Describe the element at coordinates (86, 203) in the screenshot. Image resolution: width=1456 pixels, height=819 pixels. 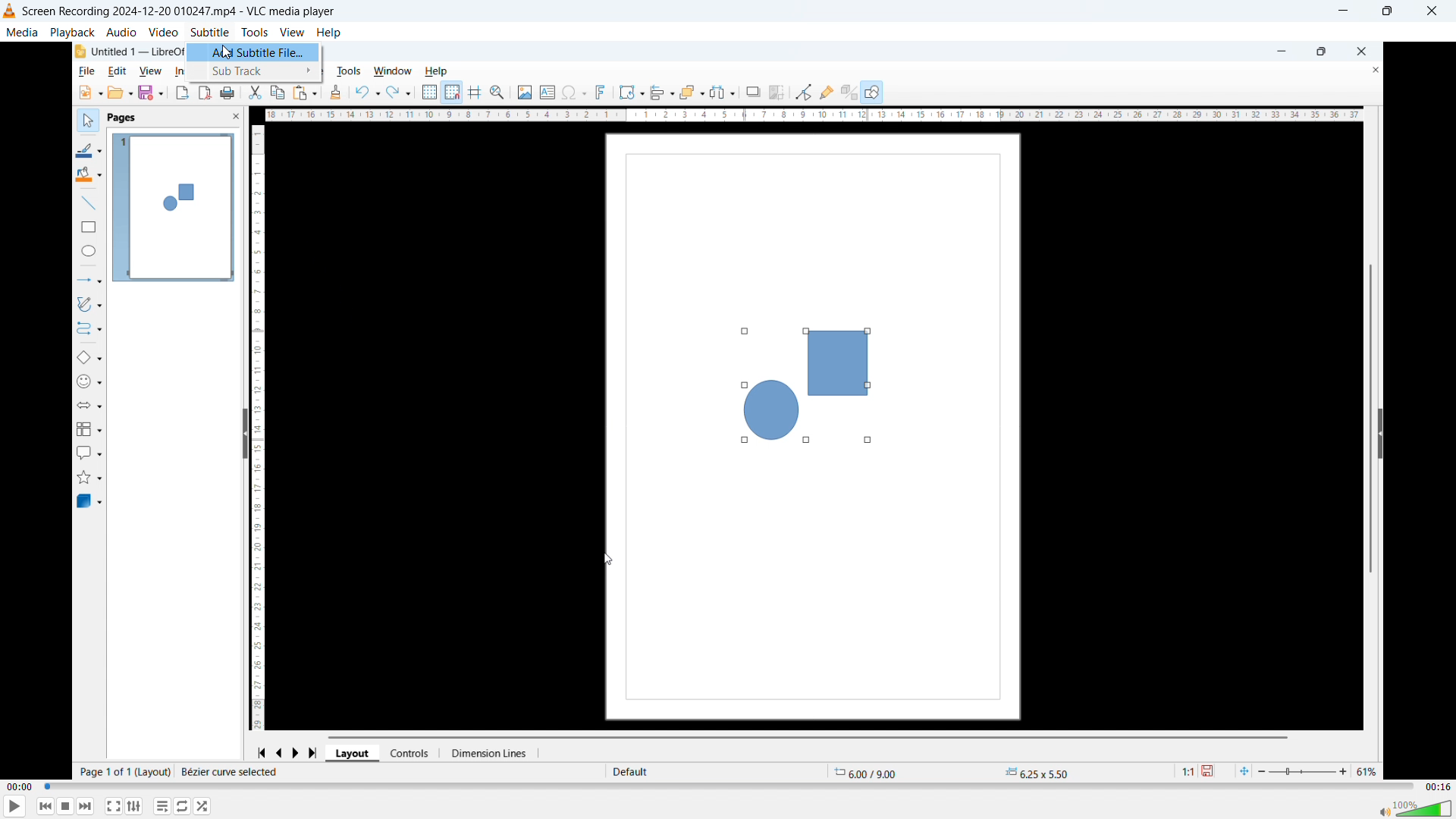
I see `line` at that location.